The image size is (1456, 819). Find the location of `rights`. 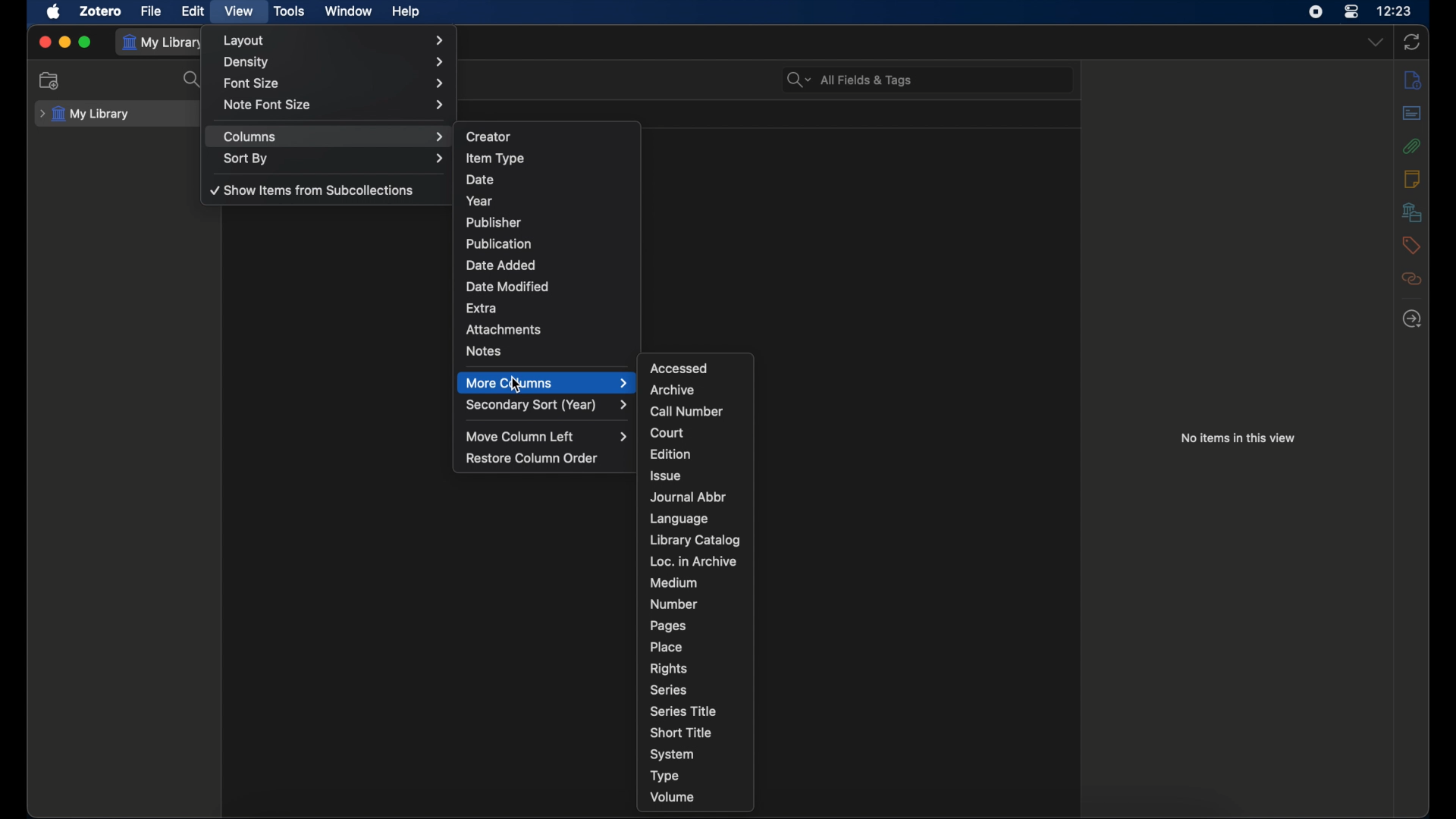

rights is located at coordinates (669, 668).